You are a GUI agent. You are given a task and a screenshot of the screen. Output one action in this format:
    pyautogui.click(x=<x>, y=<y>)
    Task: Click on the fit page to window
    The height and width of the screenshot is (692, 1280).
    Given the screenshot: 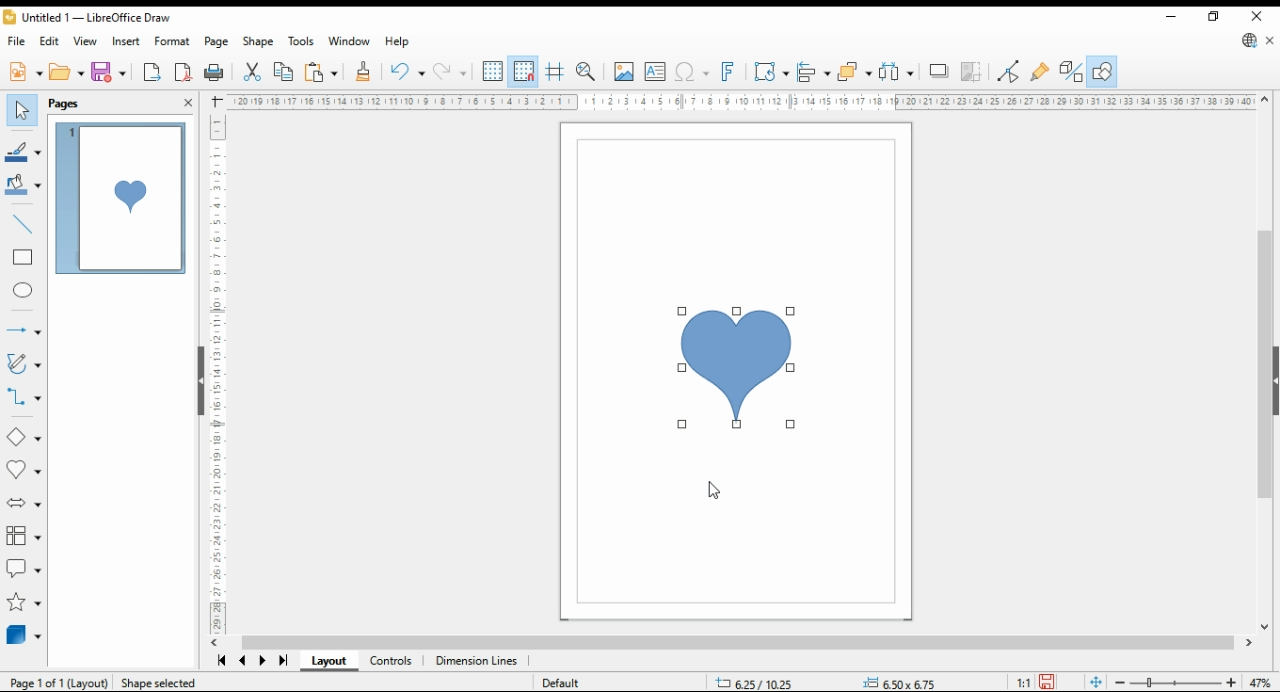 What is the action you would take?
    pyautogui.click(x=1095, y=682)
    